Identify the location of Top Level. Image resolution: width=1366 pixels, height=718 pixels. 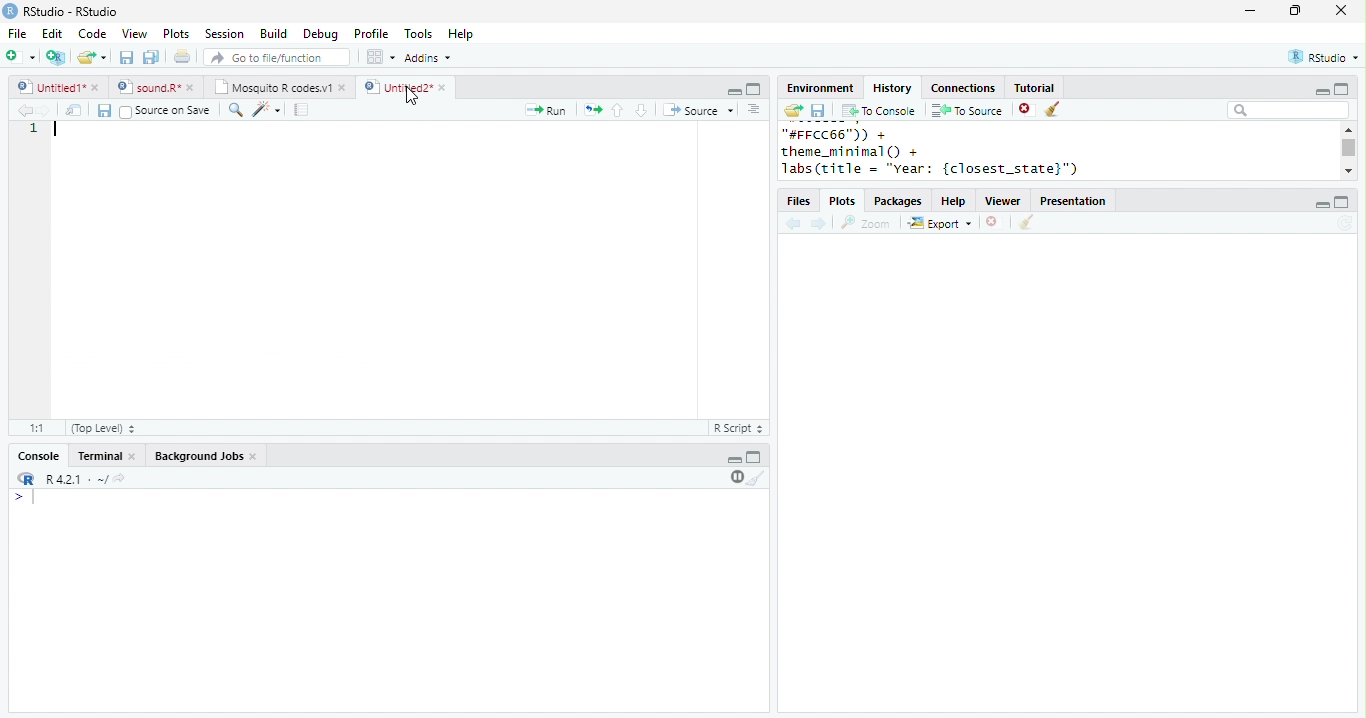
(105, 428).